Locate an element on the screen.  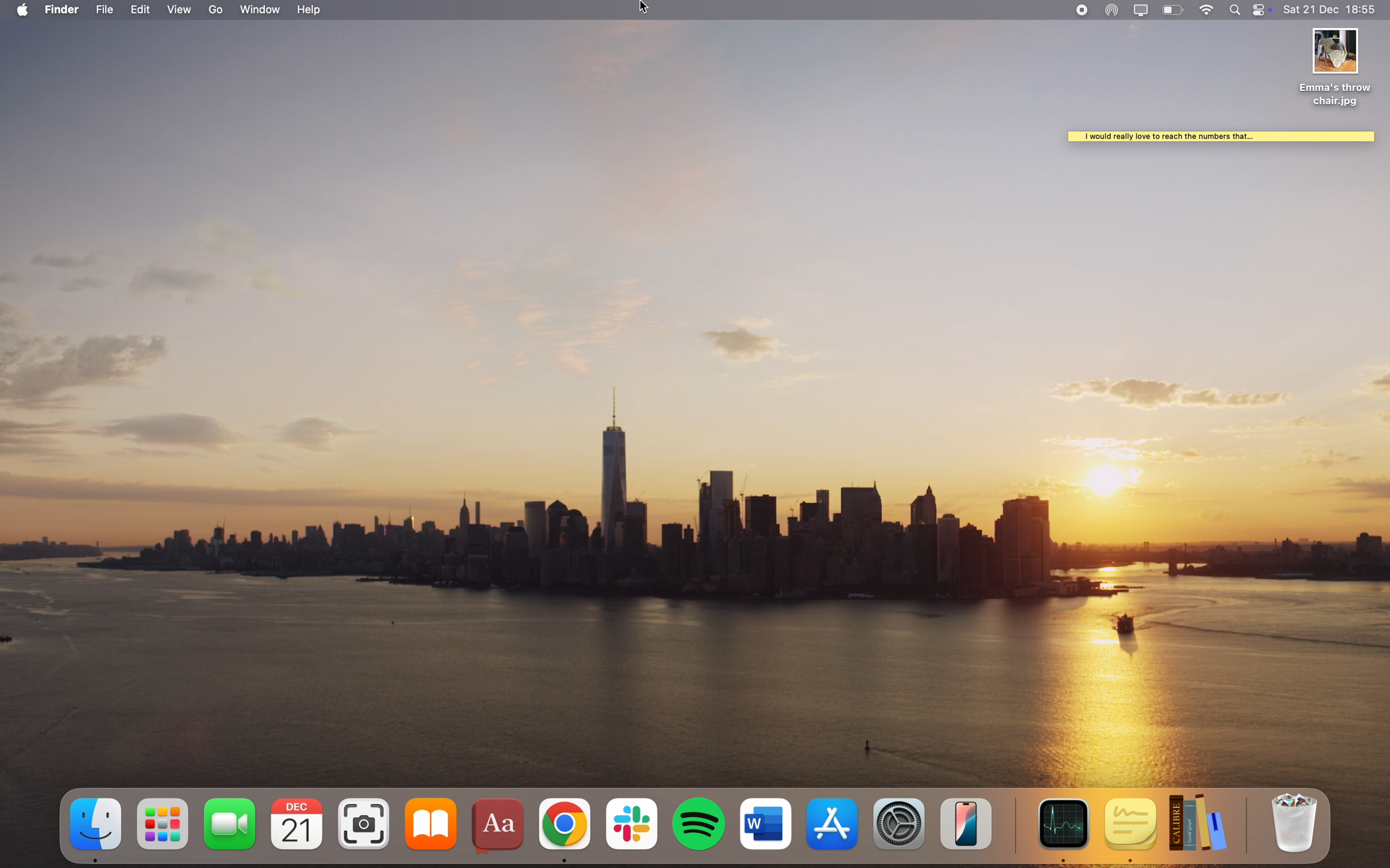
view is located at coordinates (183, 9).